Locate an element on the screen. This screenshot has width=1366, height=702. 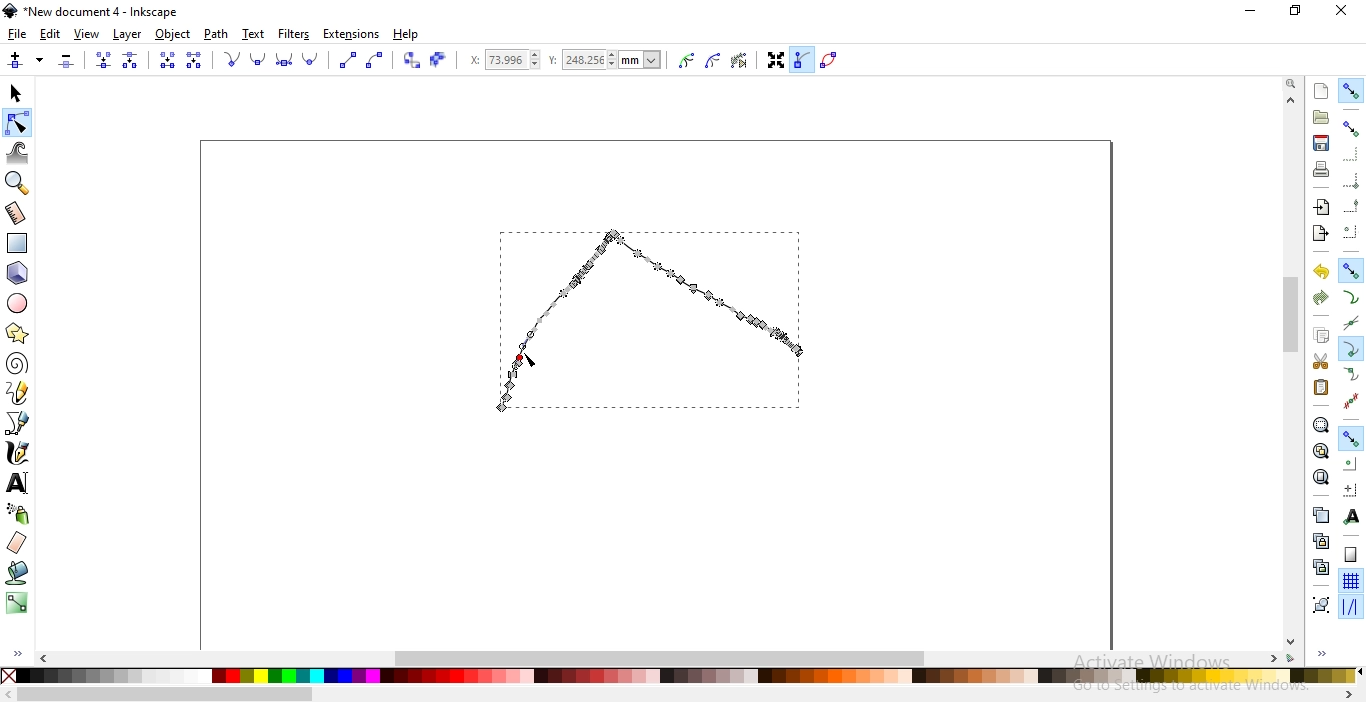
create circles, arcs, and ellipses is located at coordinates (18, 303).